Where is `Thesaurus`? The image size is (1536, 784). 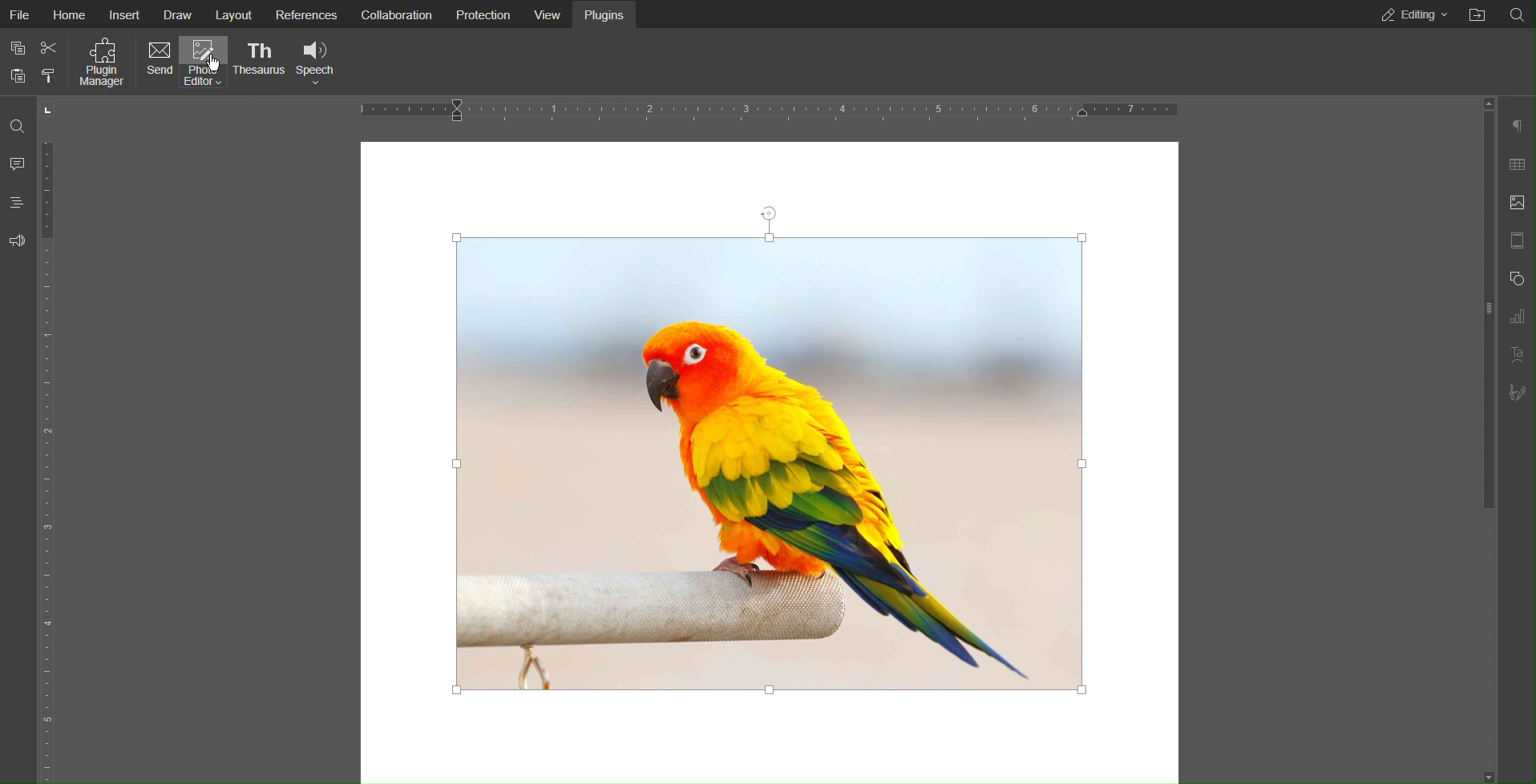 Thesaurus is located at coordinates (264, 62).